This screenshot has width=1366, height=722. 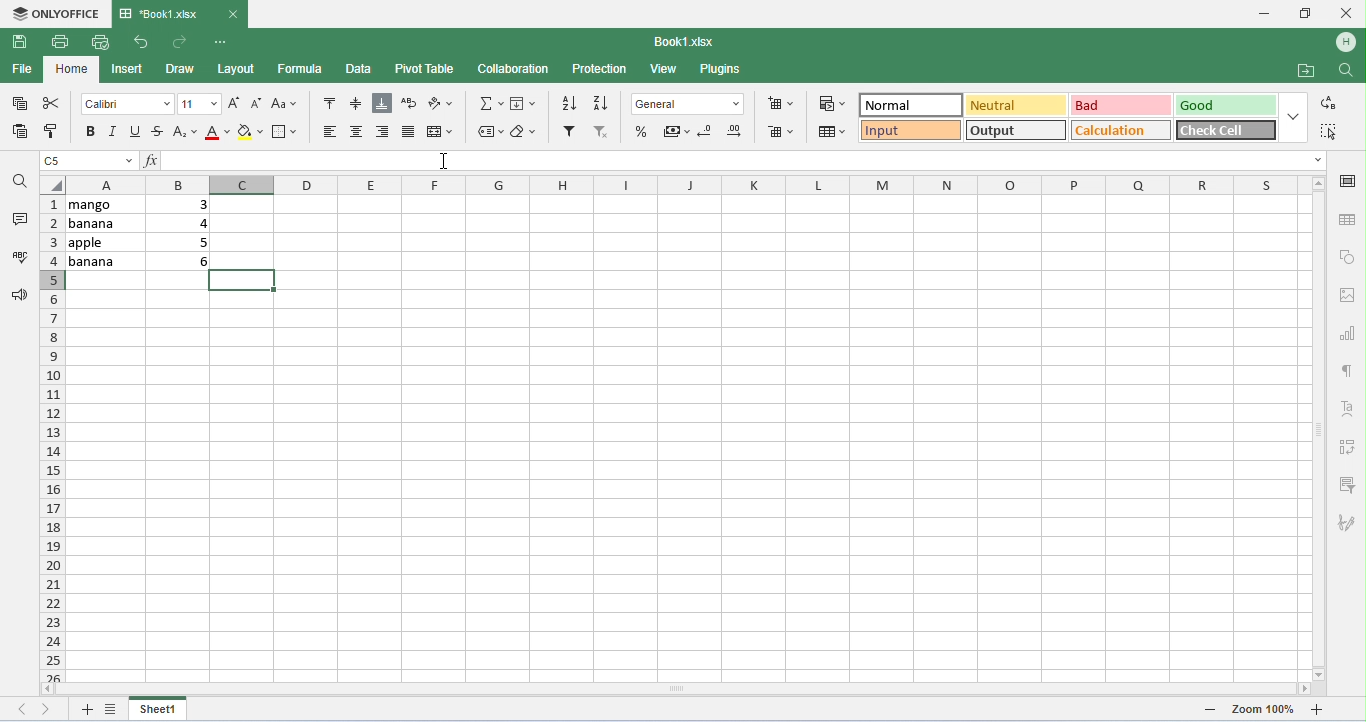 I want to click on apple, so click(x=105, y=242).